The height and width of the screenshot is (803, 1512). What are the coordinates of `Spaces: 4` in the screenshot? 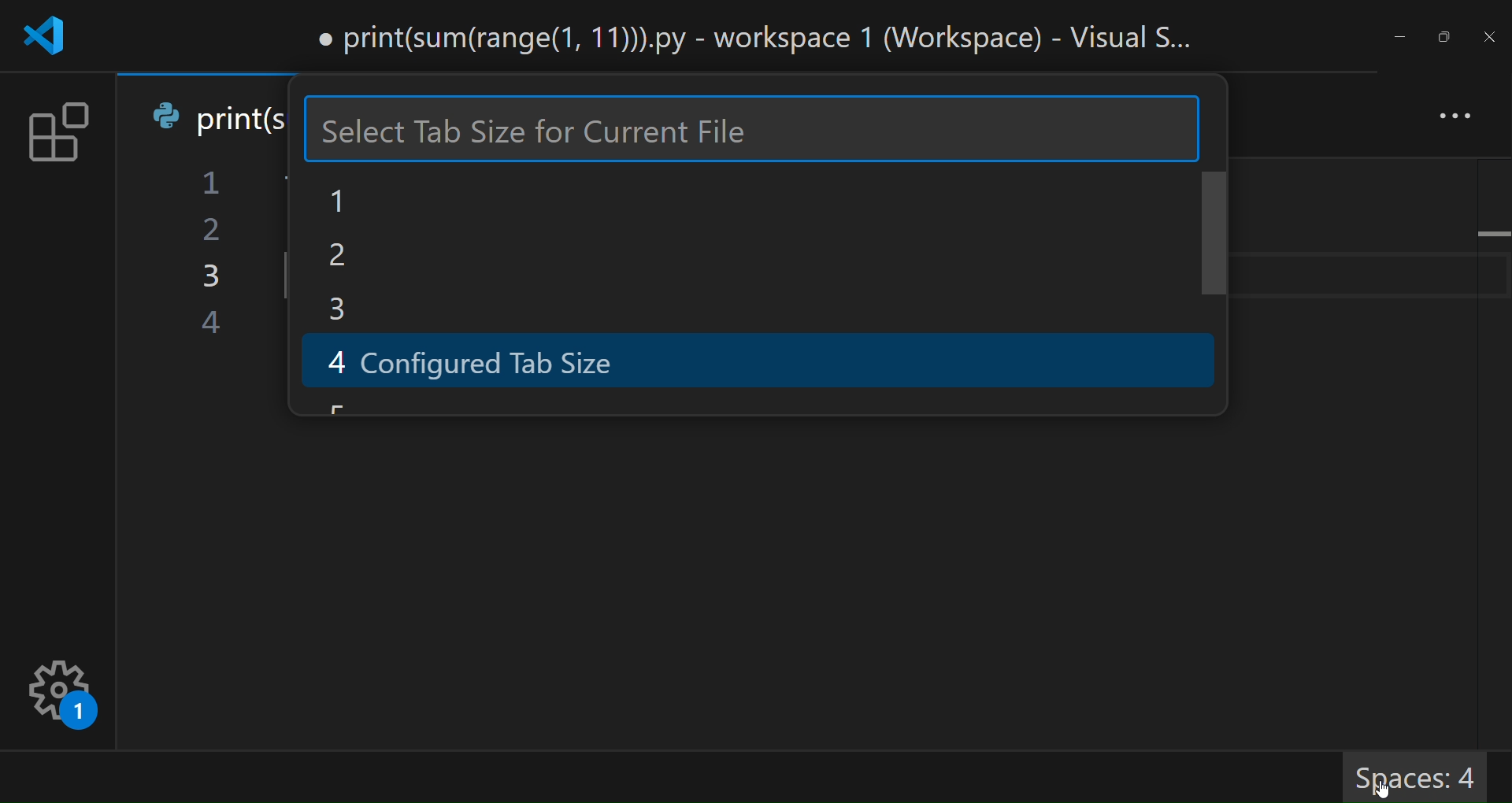 It's located at (1416, 775).